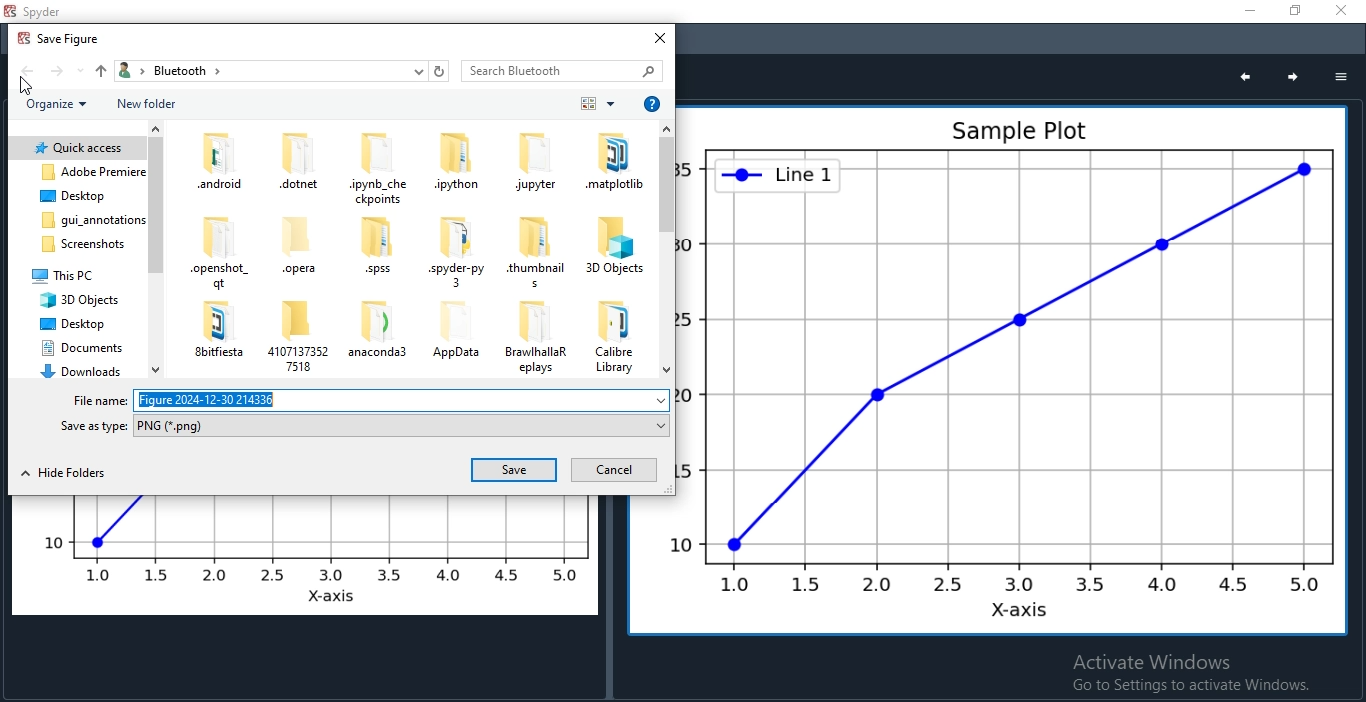 This screenshot has height=702, width=1366. I want to click on spyder, so click(57, 10).